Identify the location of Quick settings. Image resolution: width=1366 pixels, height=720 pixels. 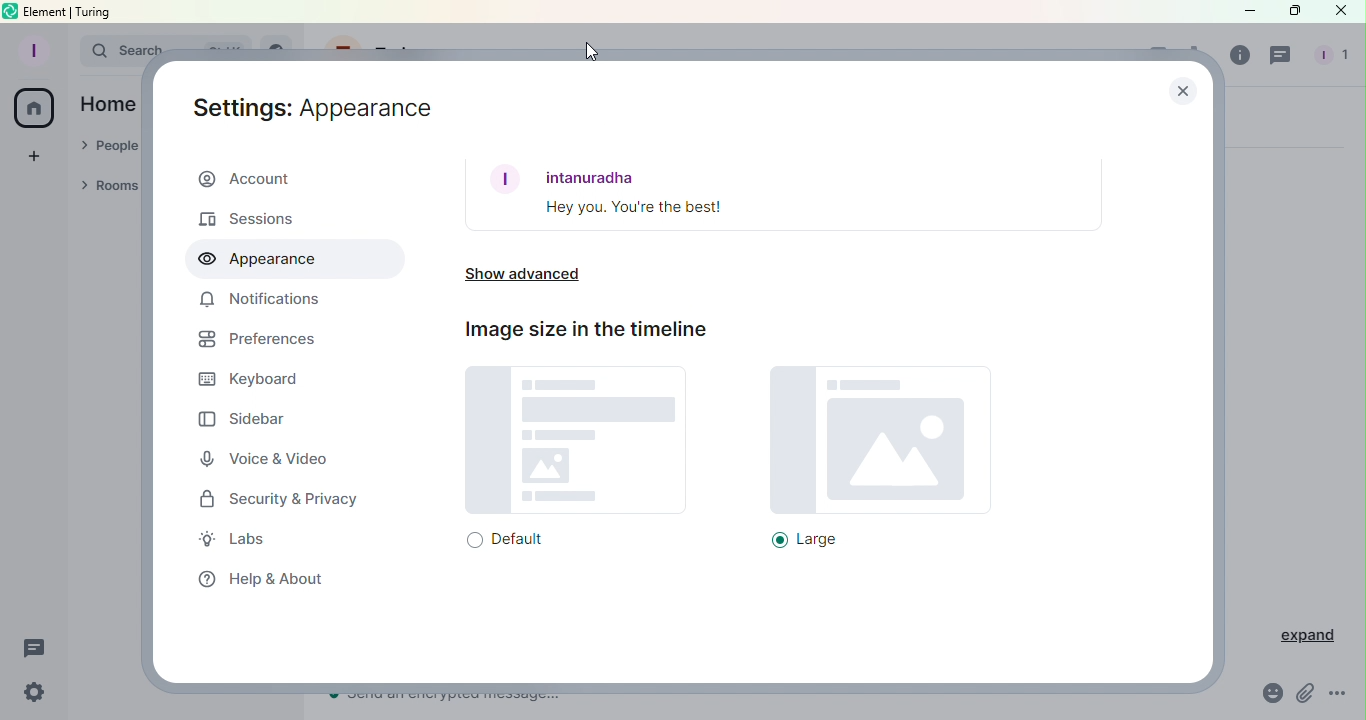
(29, 695).